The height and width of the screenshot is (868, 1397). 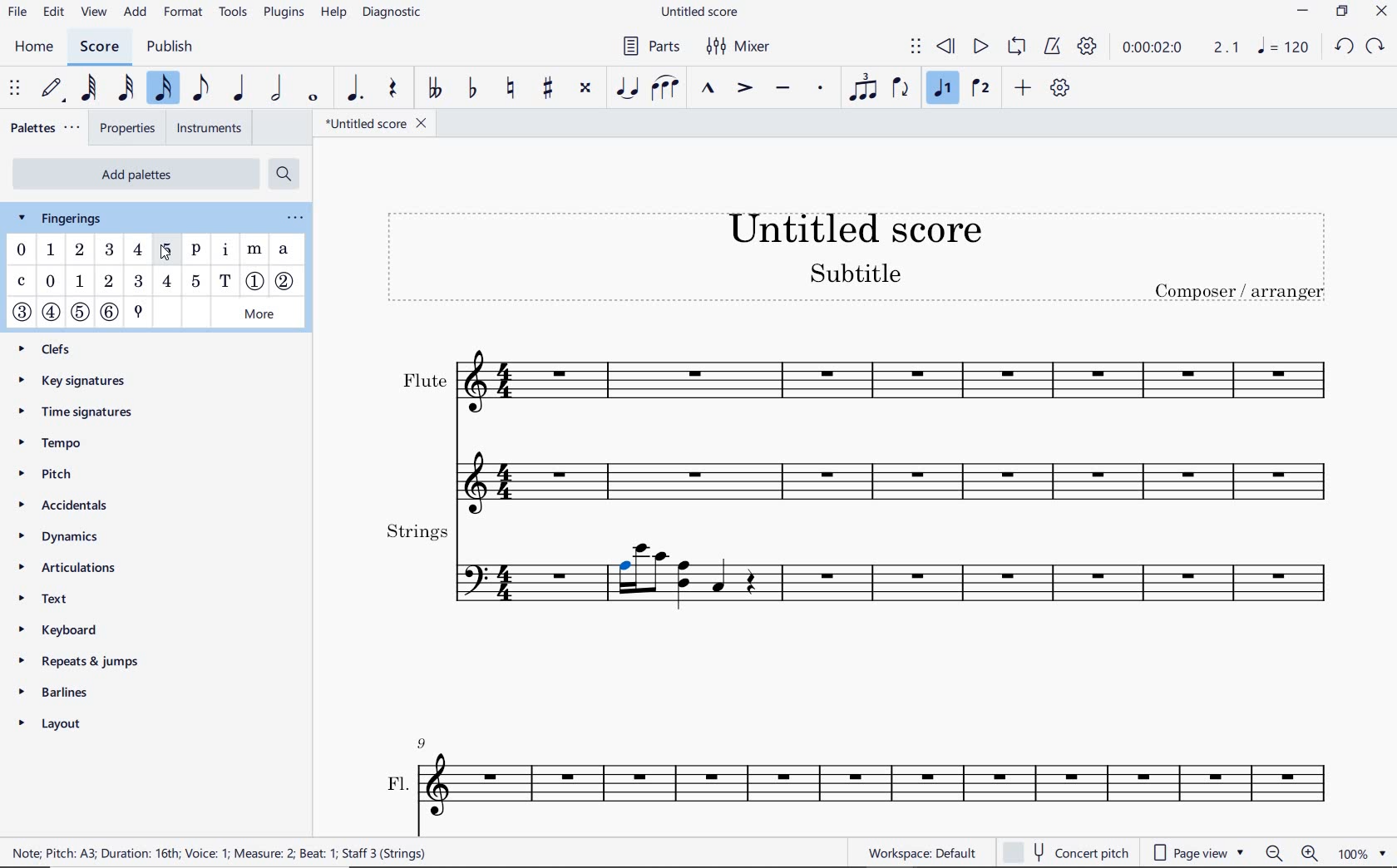 What do you see at coordinates (97, 47) in the screenshot?
I see `score` at bounding box center [97, 47].